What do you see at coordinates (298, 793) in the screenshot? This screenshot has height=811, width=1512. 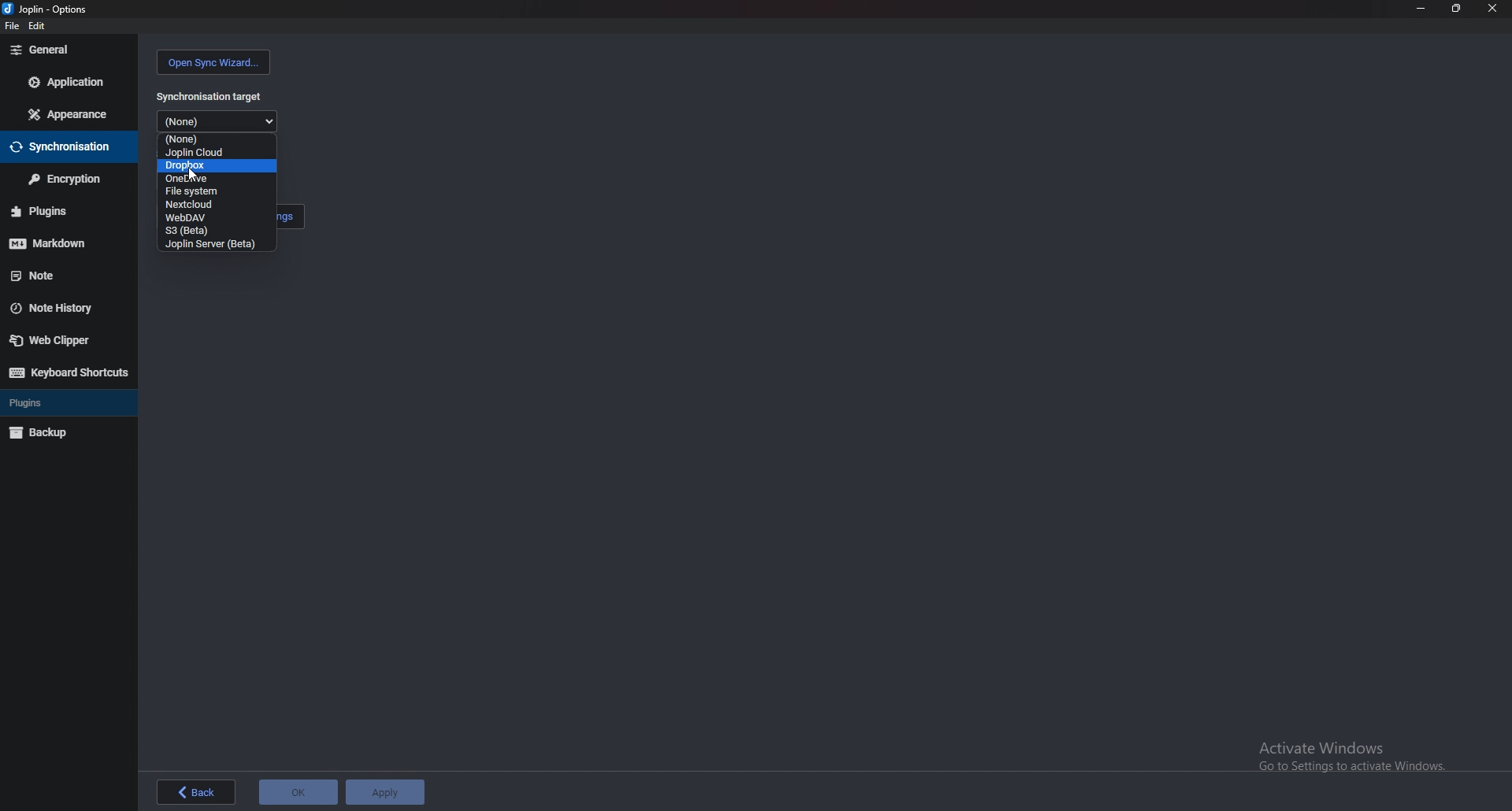 I see `ok` at bounding box center [298, 793].